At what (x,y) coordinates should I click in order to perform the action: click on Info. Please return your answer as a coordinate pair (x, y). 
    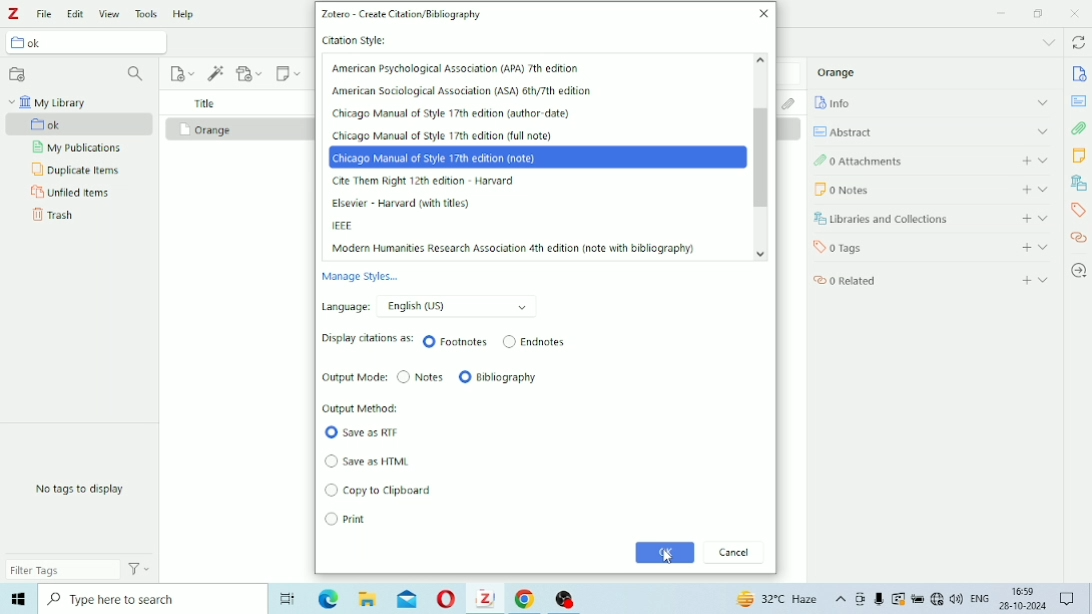
    Looking at the image, I should click on (932, 102).